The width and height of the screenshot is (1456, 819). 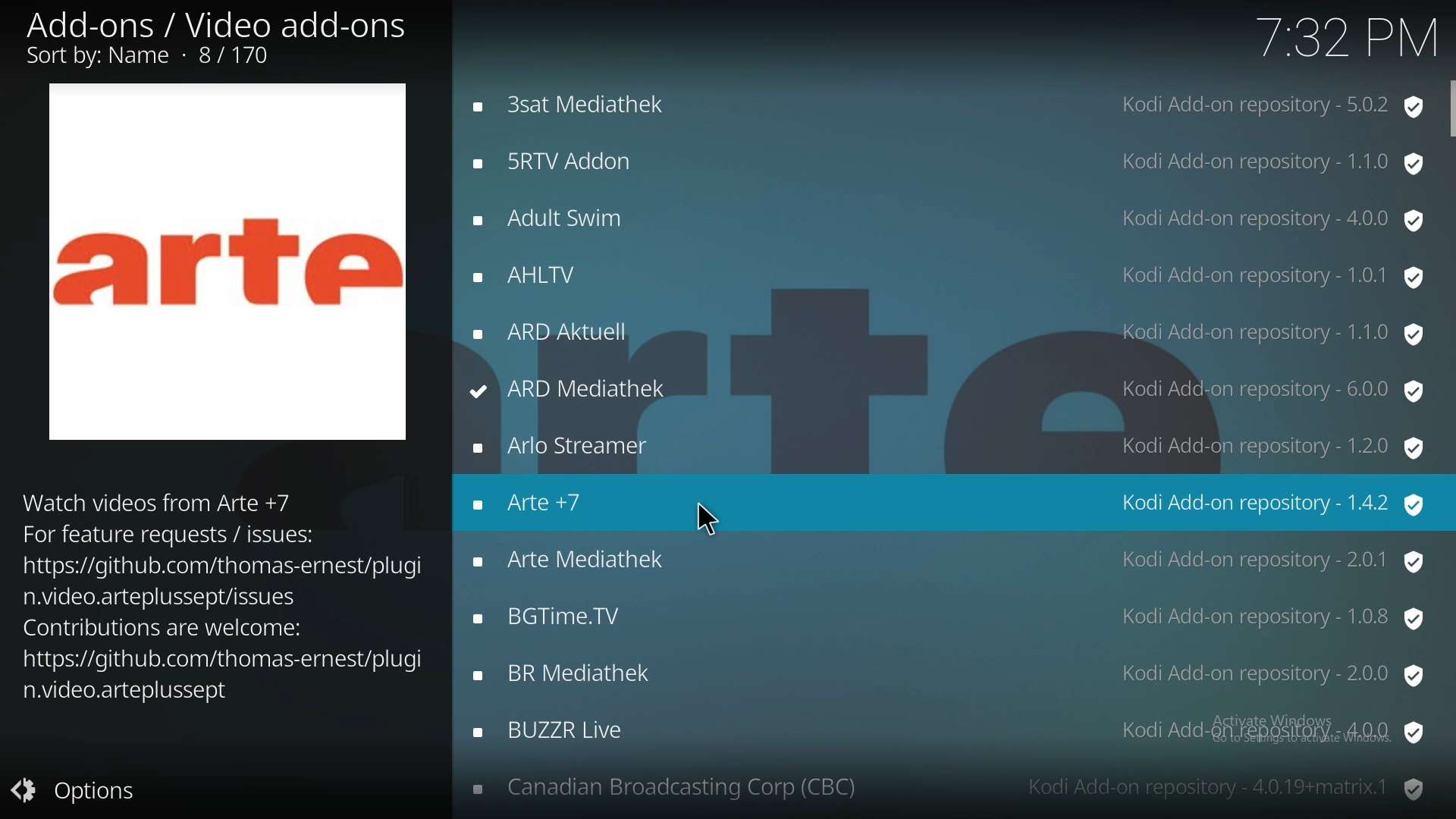 I want to click on photo, so click(x=229, y=259).